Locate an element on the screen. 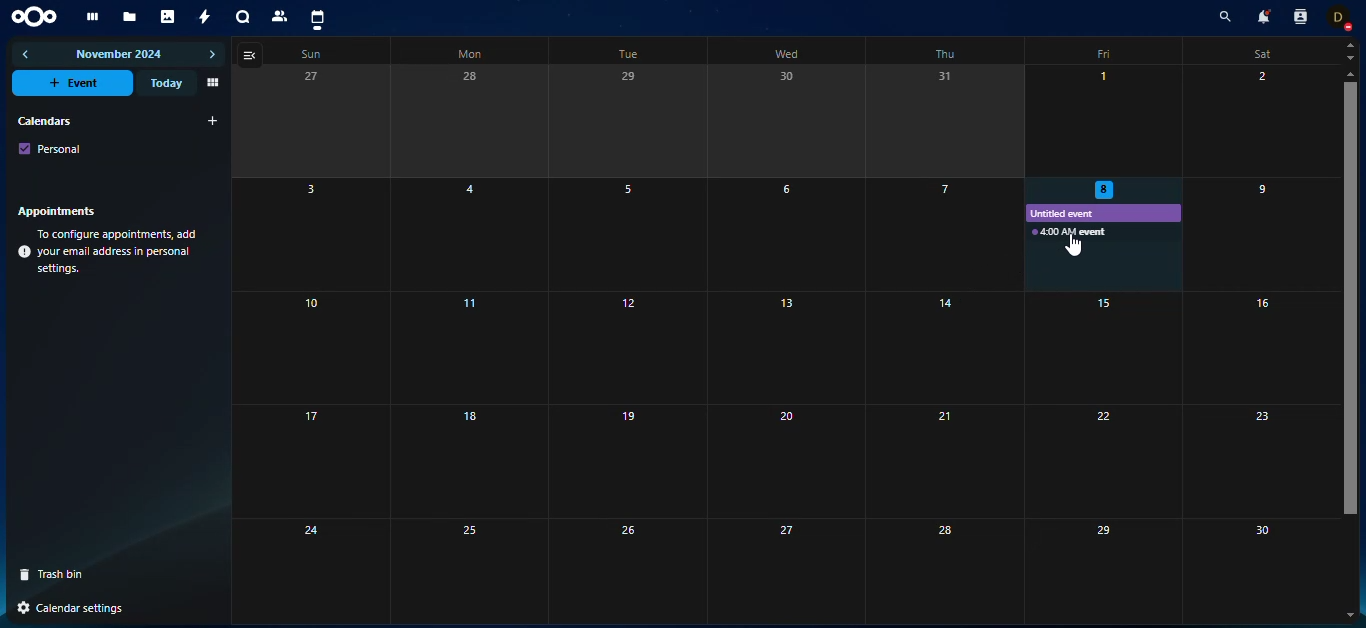 This screenshot has width=1366, height=628. settings is located at coordinates (69, 607).